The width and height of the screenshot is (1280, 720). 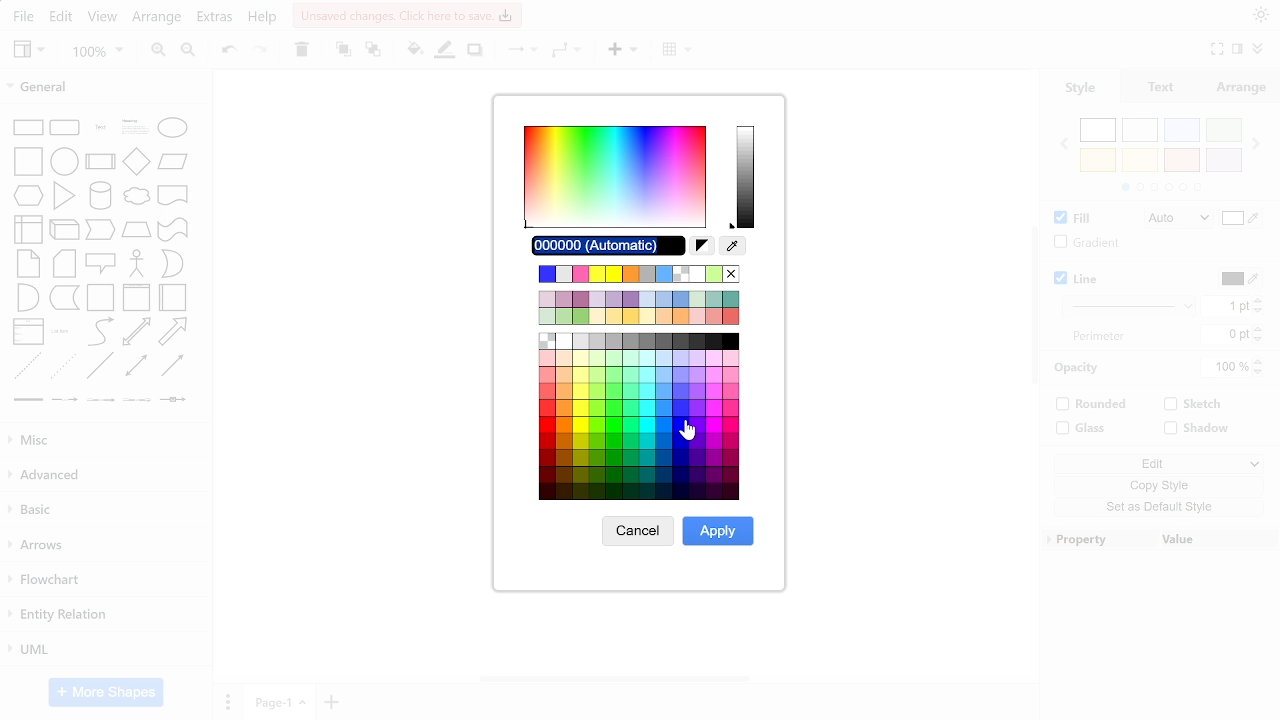 I want to click on increase perimeter, so click(x=1258, y=328).